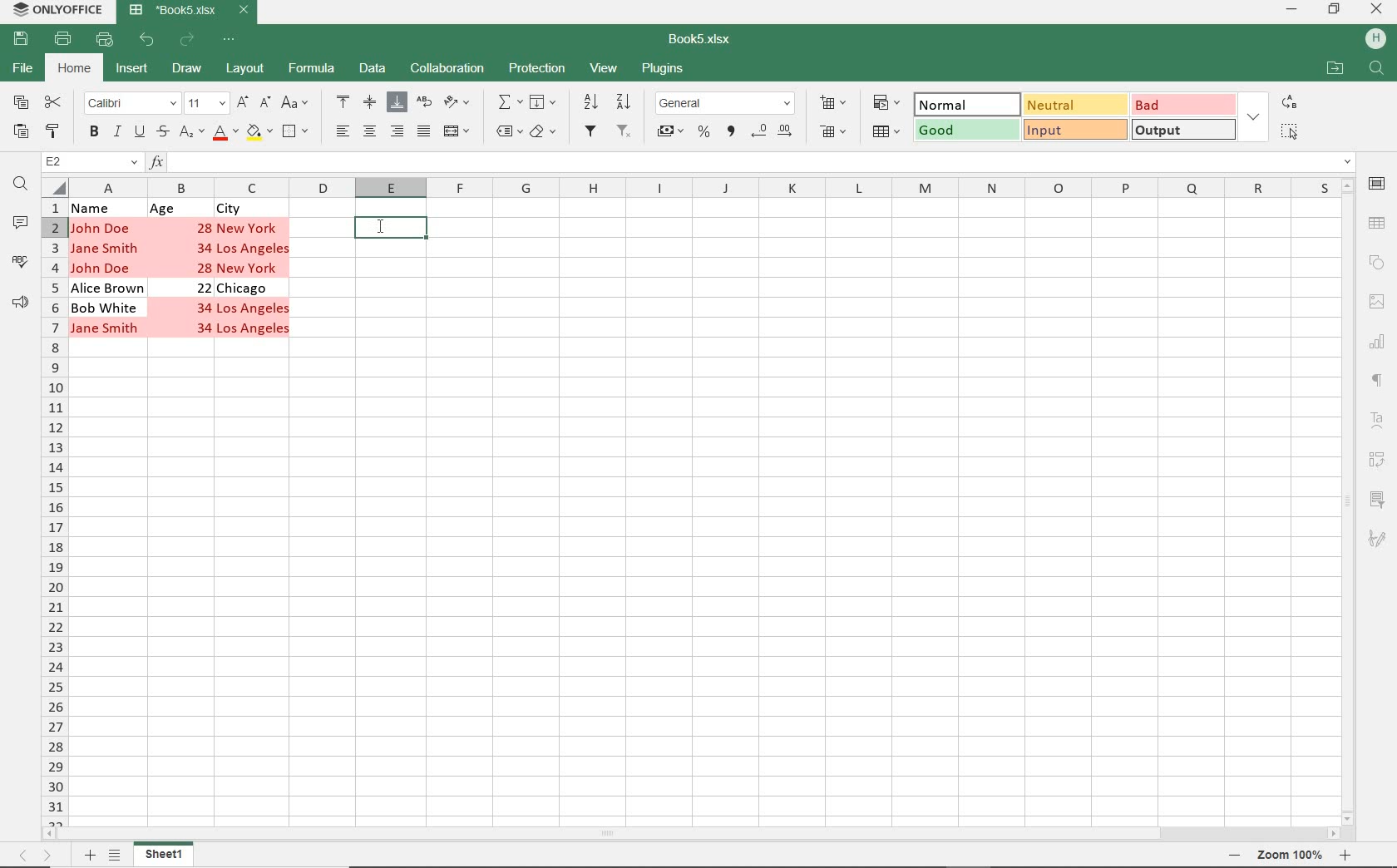 The width and height of the screenshot is (1397, 868). I want to click on Jane Smith, so click(104, 330).